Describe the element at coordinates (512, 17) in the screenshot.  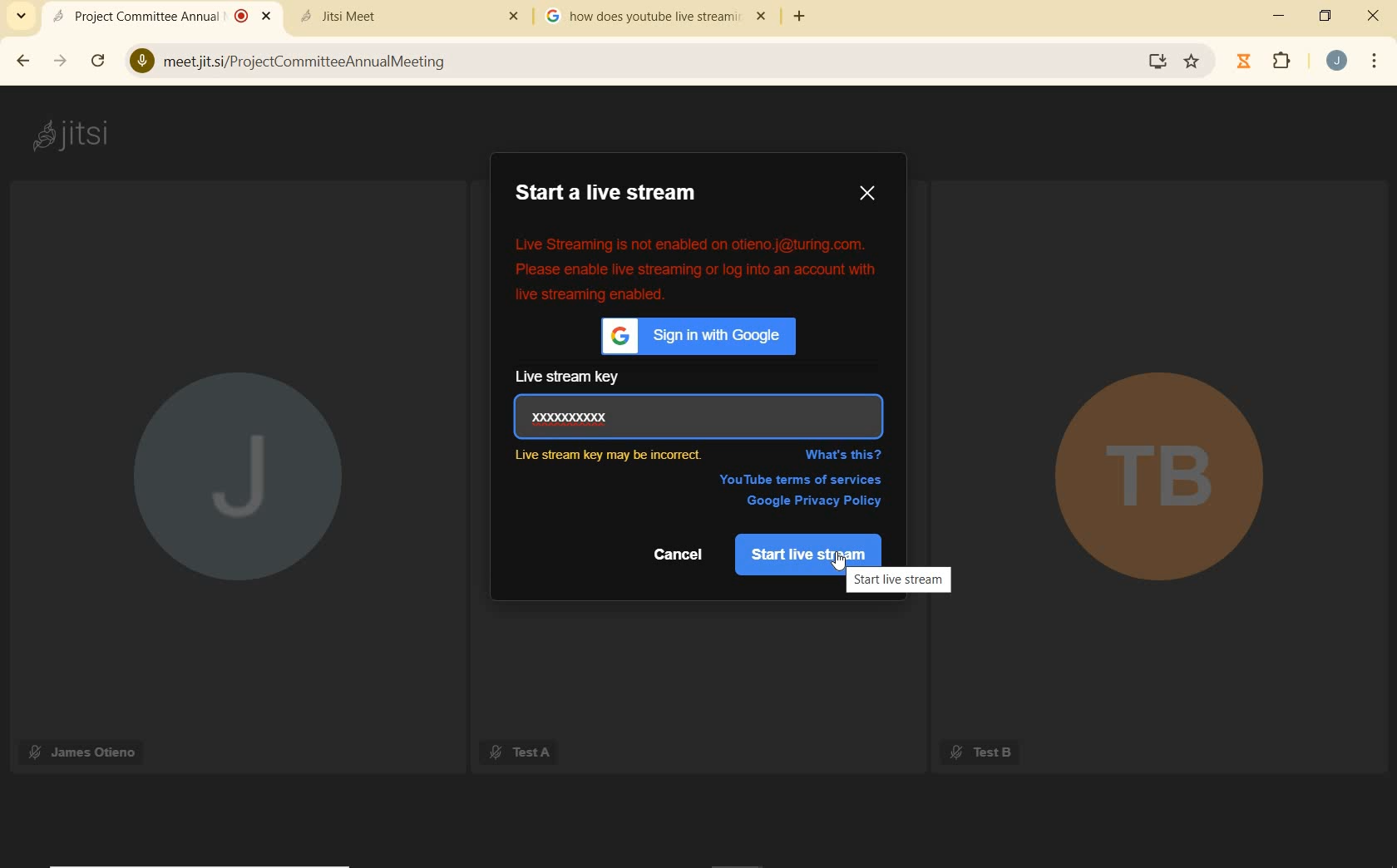
I see `` at that location.